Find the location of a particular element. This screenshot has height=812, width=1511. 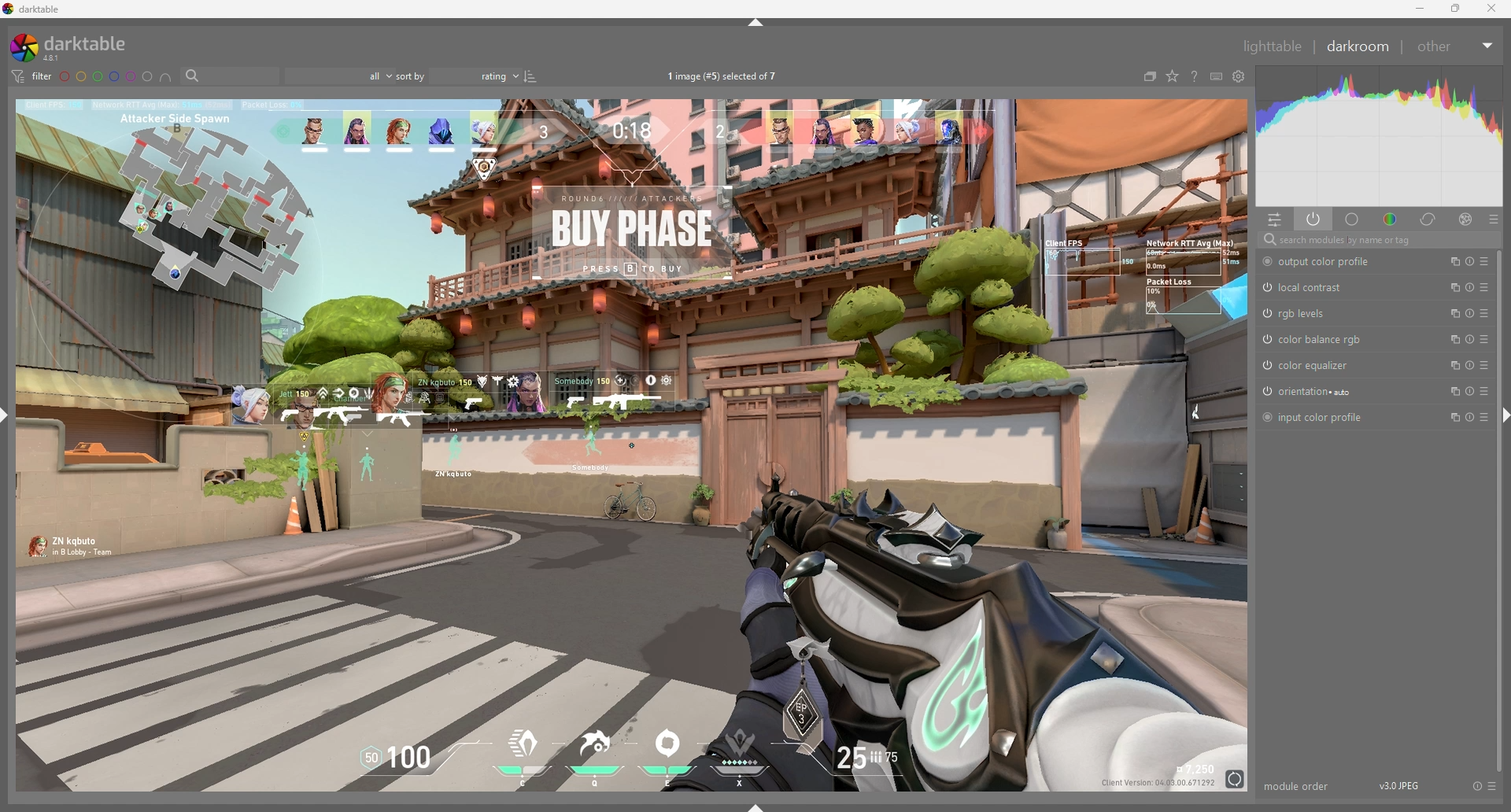

reset is located at coordinates (1470, 415).